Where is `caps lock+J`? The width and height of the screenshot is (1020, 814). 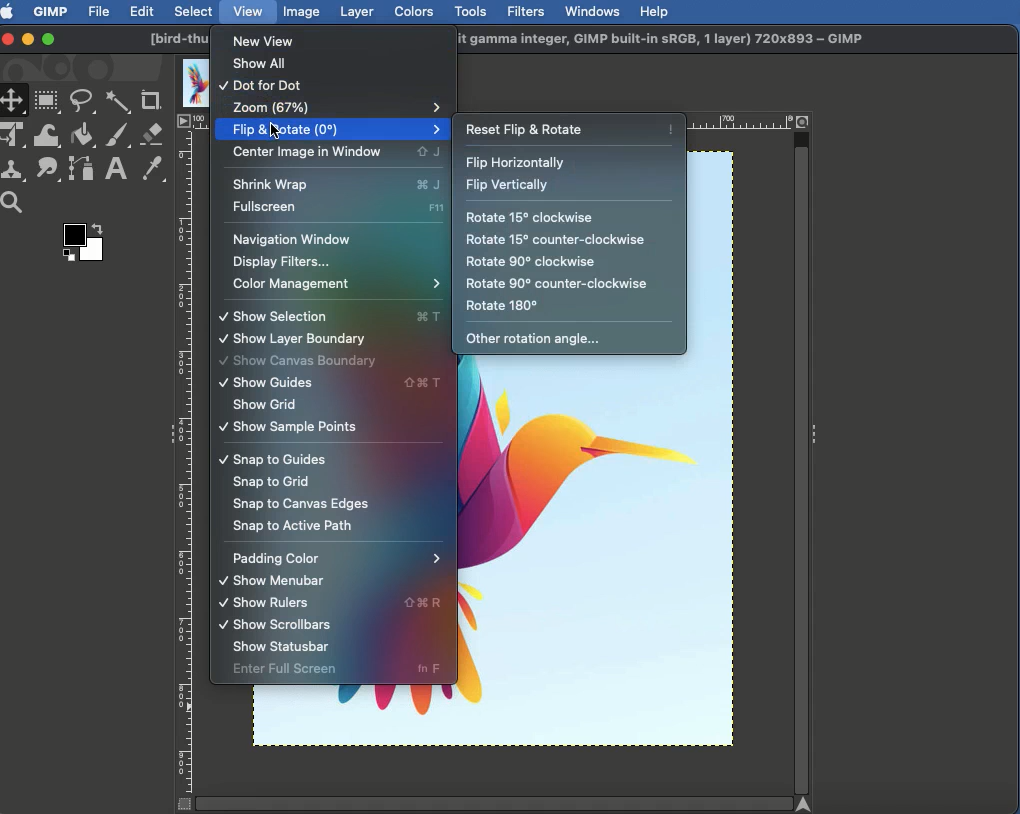 caps lock+J is located at coordinates (429, 152).